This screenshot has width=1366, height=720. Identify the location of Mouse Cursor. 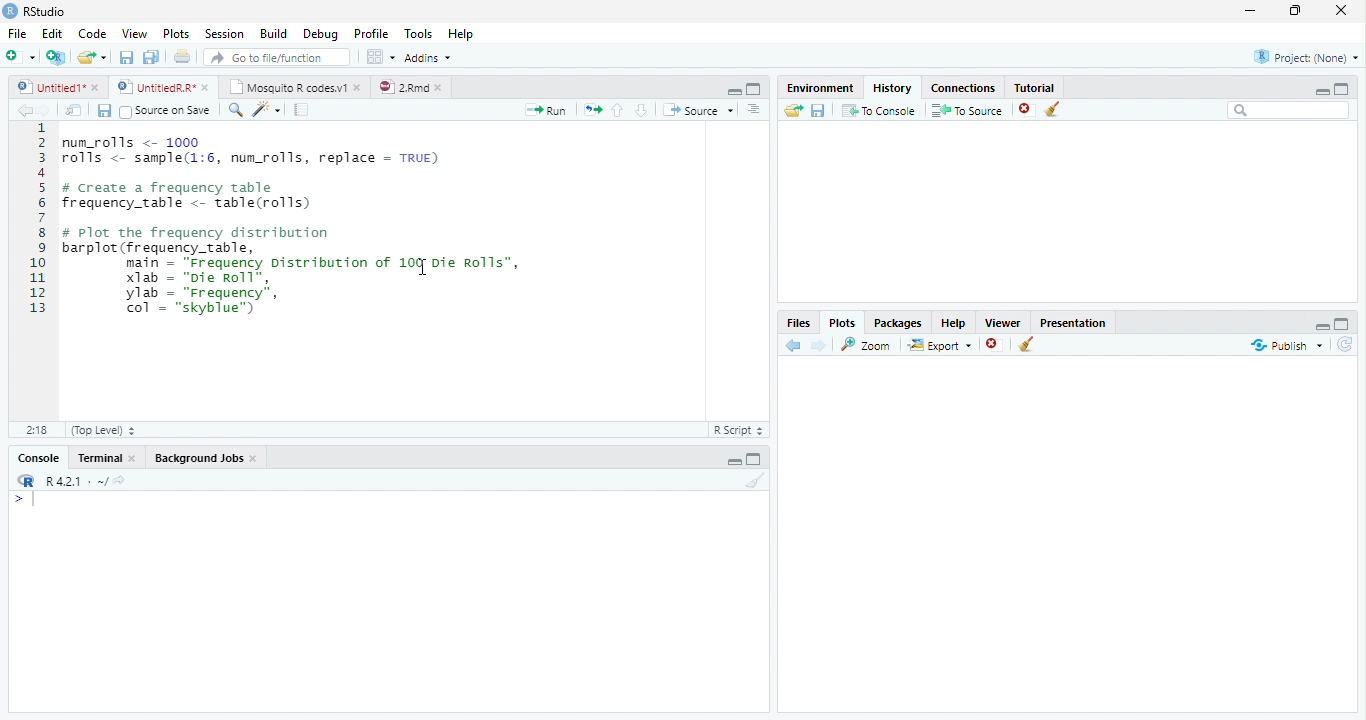
(421, 269).